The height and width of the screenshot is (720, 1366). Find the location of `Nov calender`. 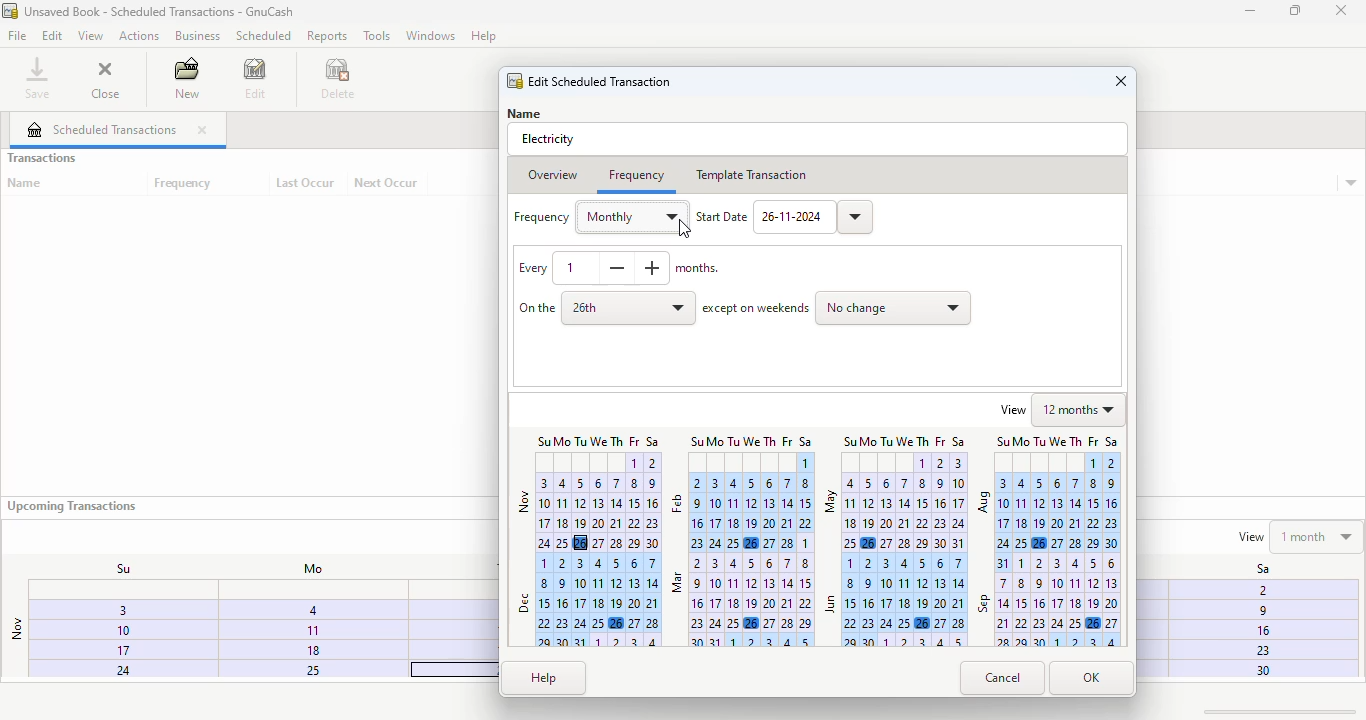

Nov calender is located at coordinates (588, 493).